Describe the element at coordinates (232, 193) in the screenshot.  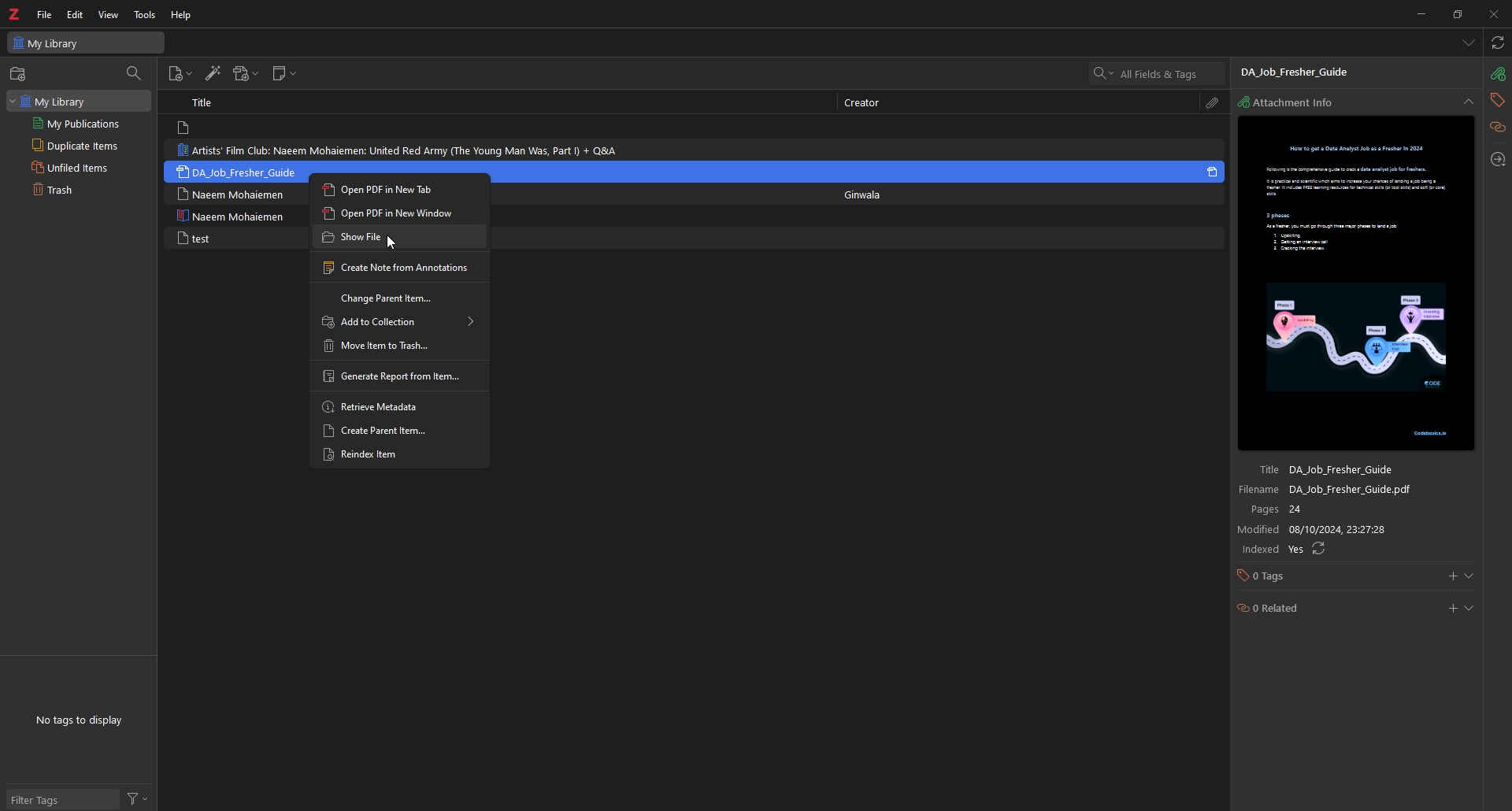
I see `note` at that location.